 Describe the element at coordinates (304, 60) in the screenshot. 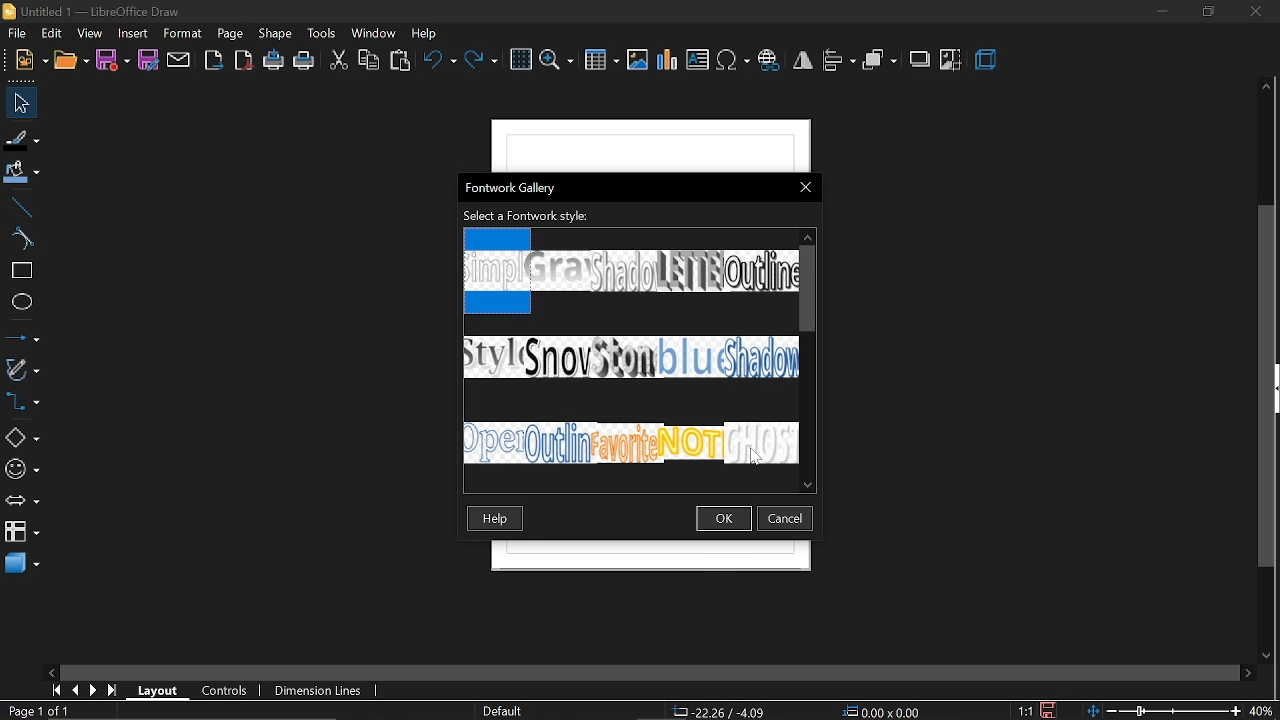

I see `print` at that location.